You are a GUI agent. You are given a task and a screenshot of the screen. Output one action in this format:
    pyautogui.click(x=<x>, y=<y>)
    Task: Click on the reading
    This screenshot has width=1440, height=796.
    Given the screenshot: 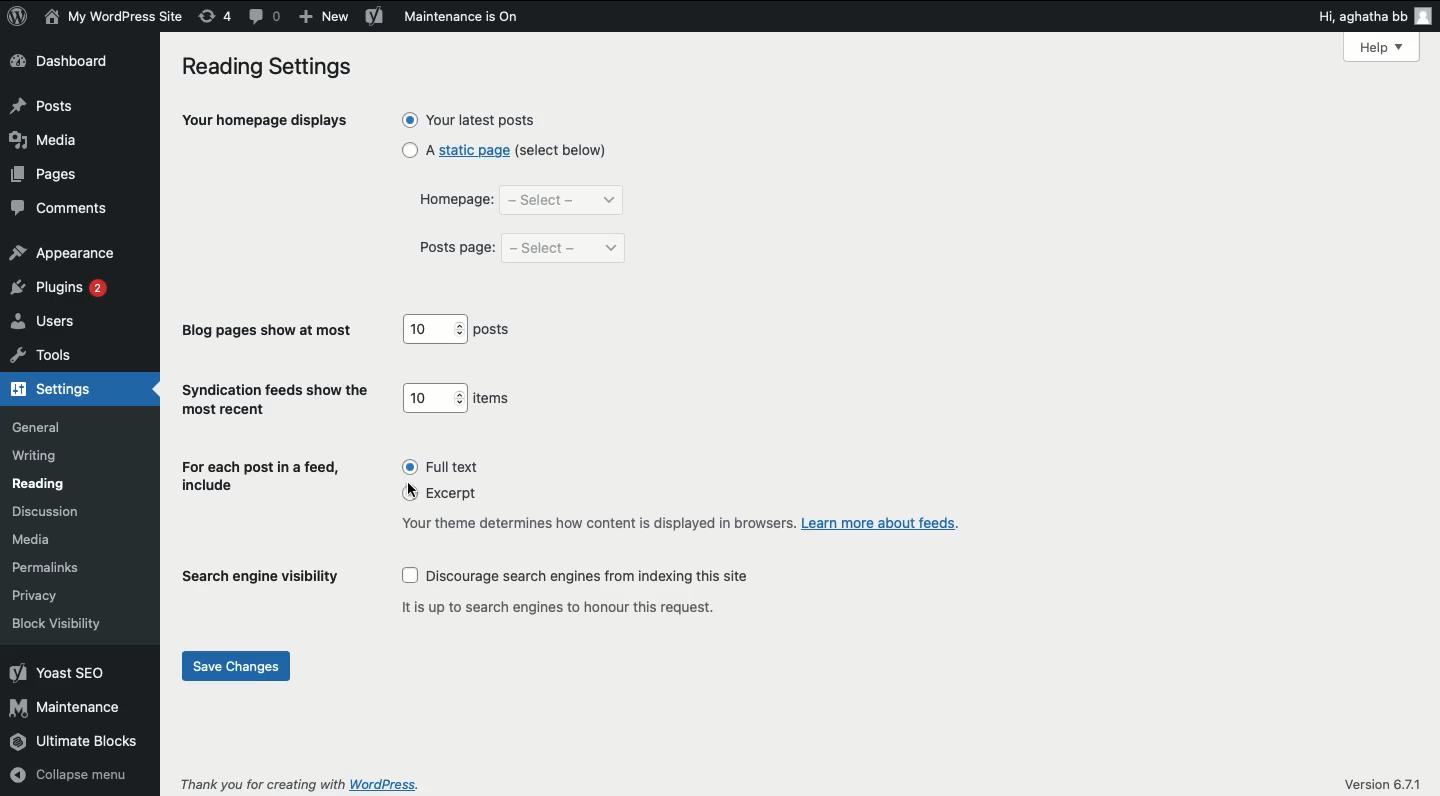 What is the action you would take?
    pyautogui.click(x=42, y=483)
    